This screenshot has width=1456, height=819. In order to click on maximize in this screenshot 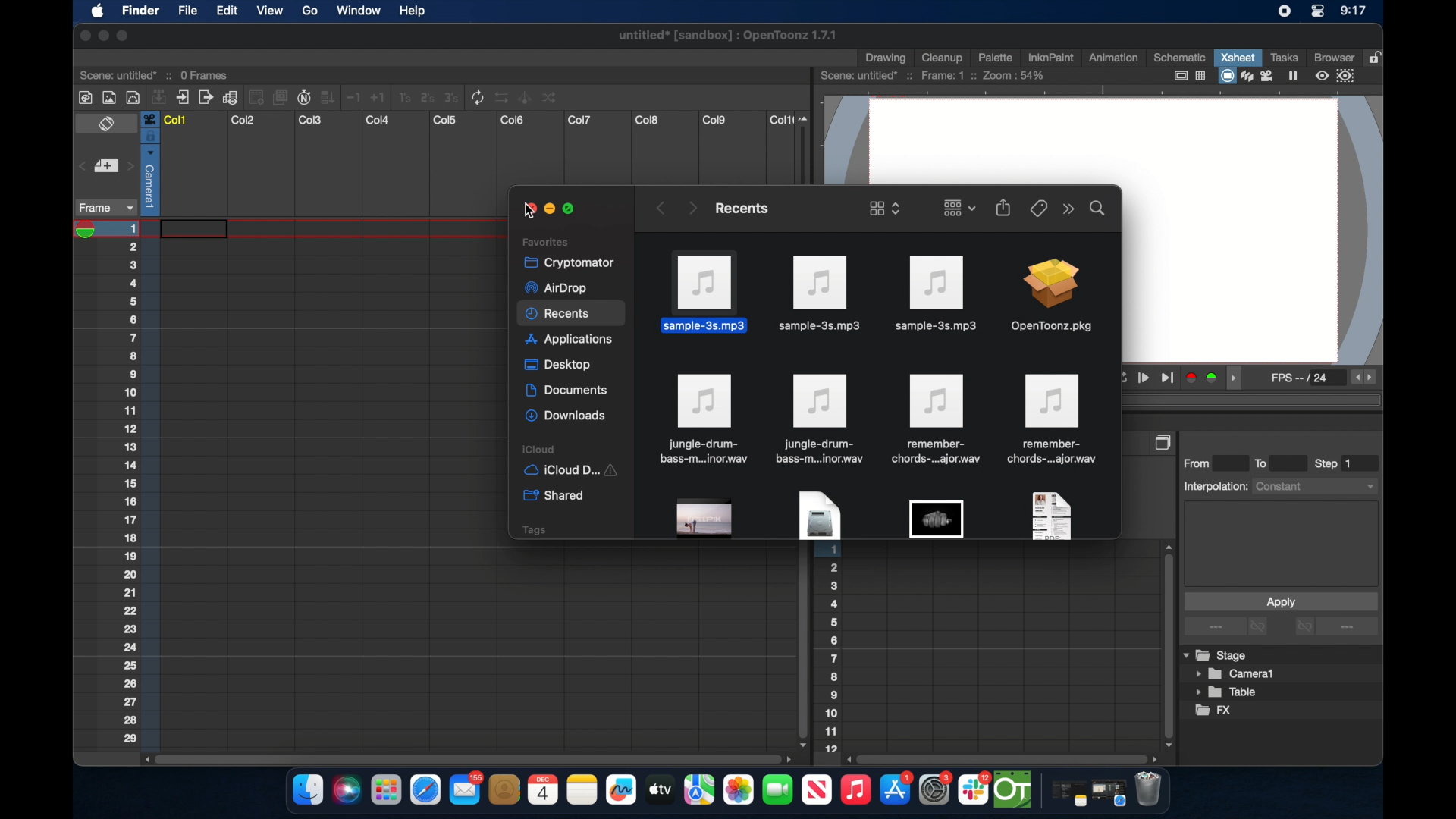, I will do `click(124, 36)`.